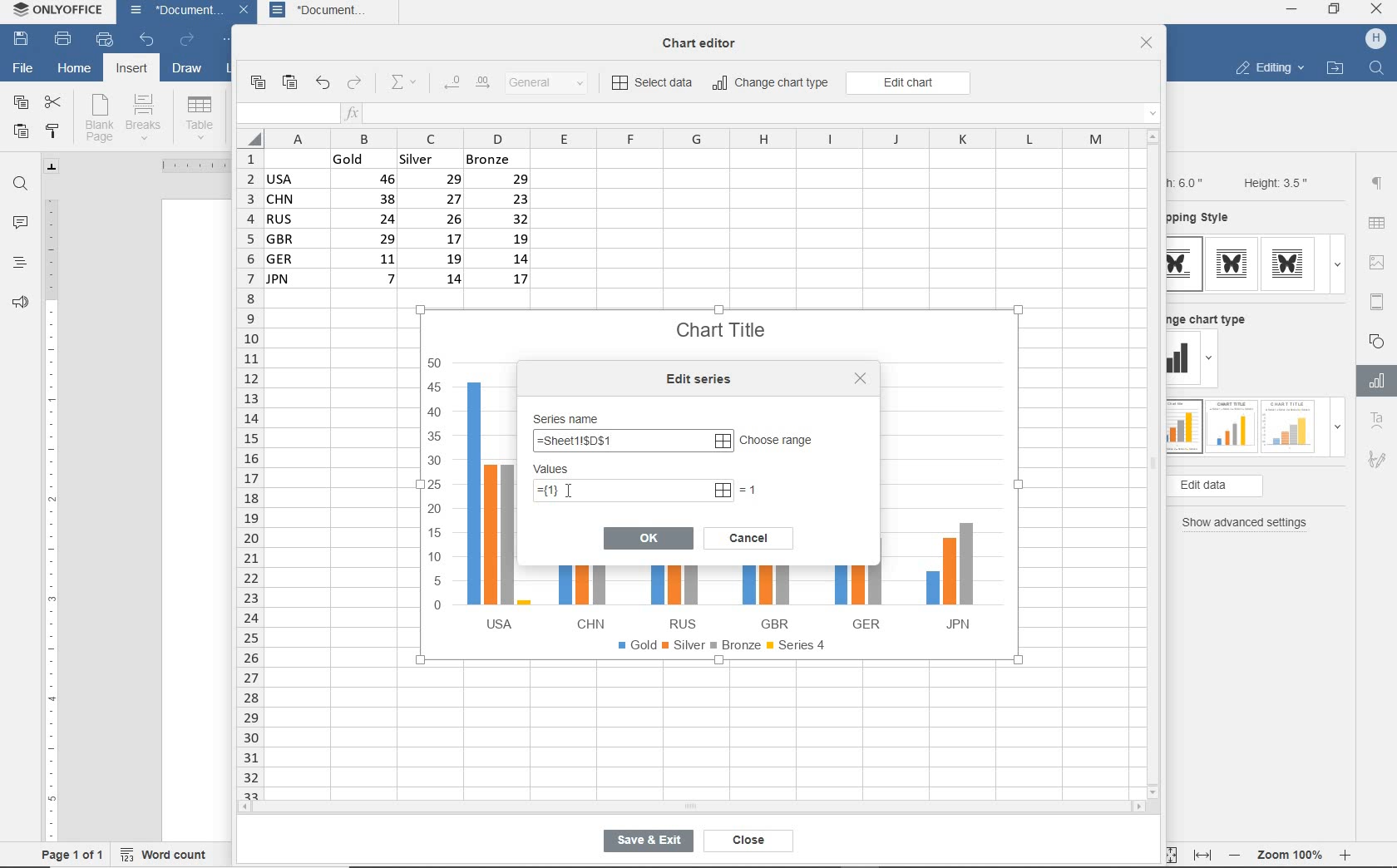 Image resolution: width=1397 pixels, height=868 pixels. I want to click on system name, so click(61, 13).